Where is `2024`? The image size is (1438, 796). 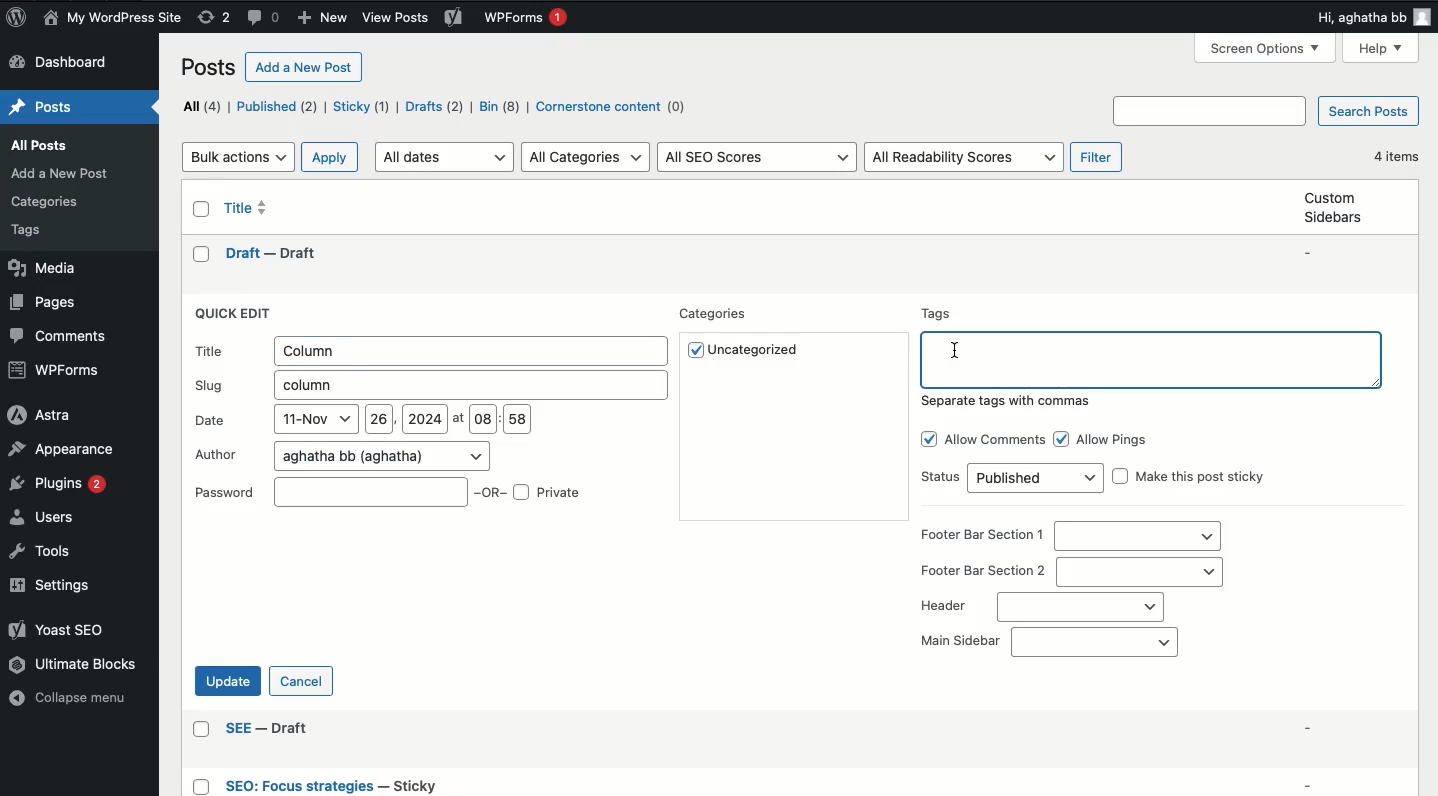
2024 is located at coordinates (425, 418).